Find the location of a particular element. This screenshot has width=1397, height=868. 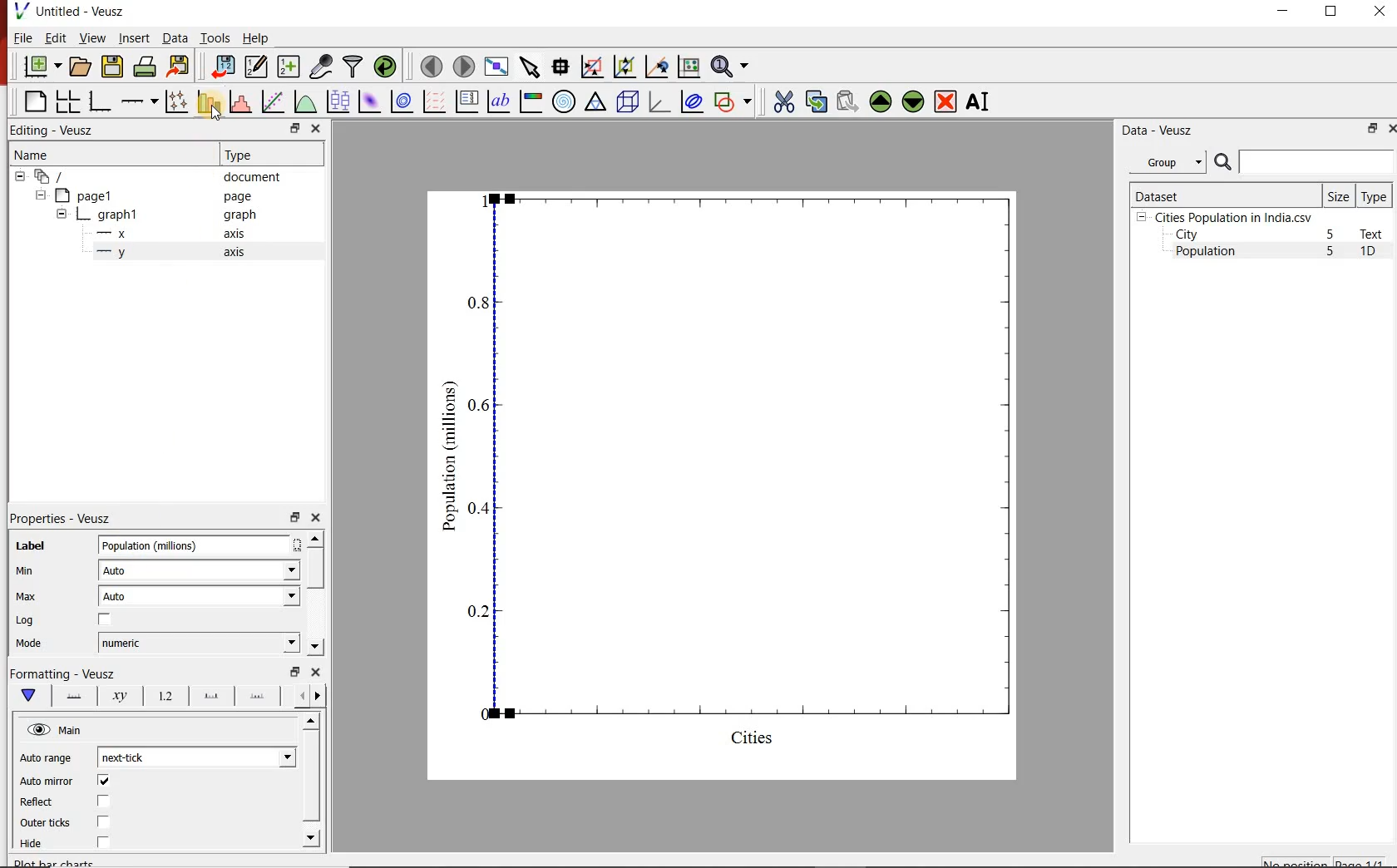

plot a vector field is located at coordinates (432, 101).